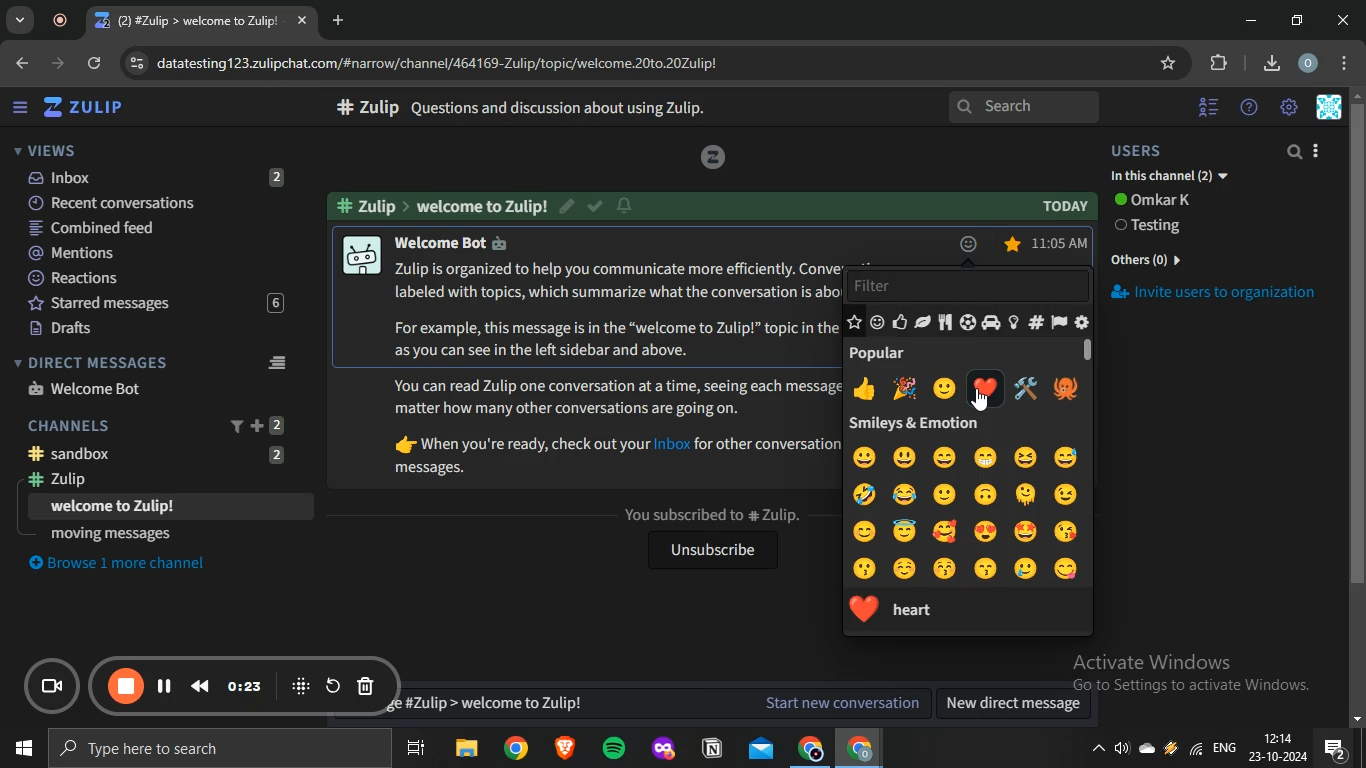  Describe the element at coordinates (986, 531) in the screenshot. I see `heart eyes` at that location.